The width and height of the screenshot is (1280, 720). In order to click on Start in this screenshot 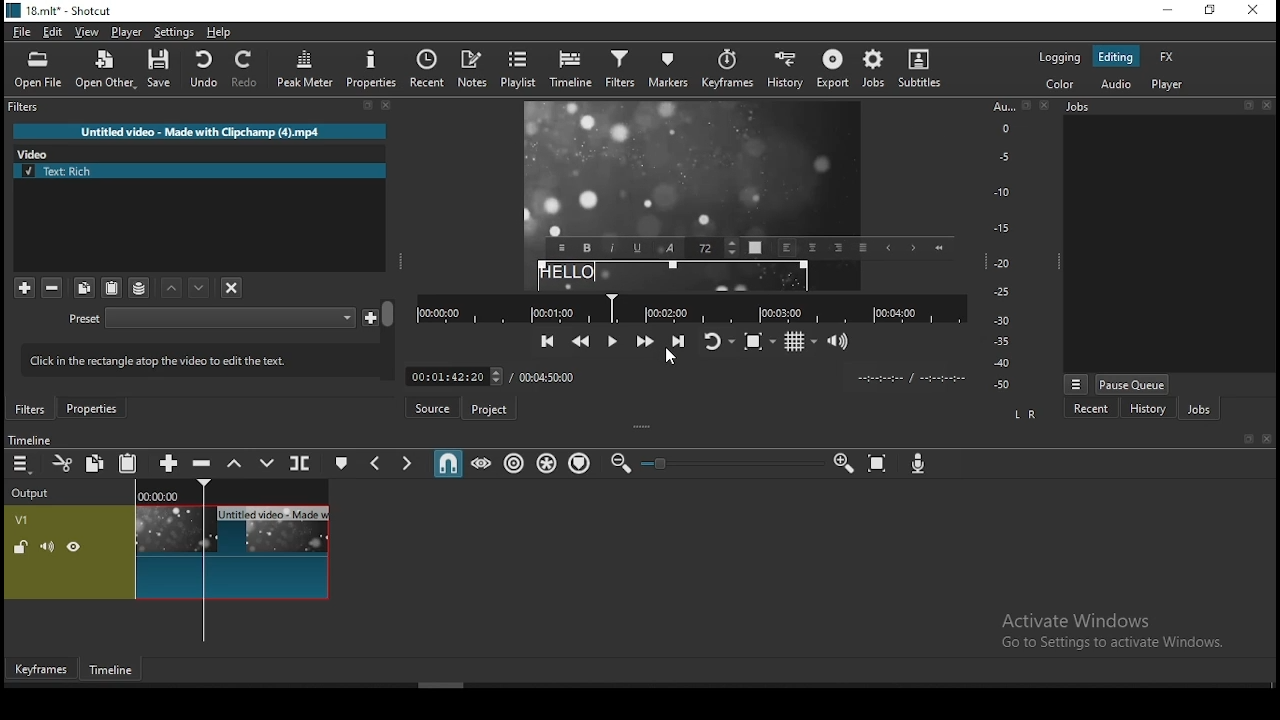, I will do `click(938, 247)`.